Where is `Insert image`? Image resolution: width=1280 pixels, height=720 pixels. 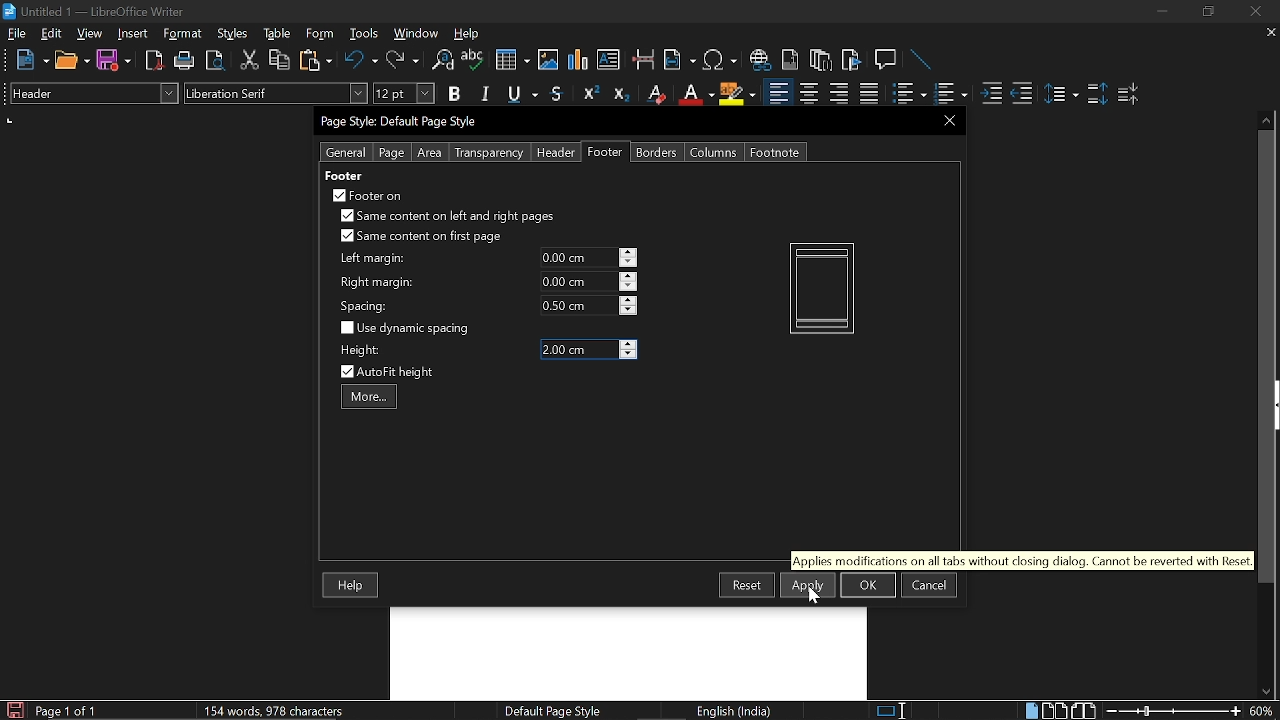 Insert image is located at coordinates (550, 59).